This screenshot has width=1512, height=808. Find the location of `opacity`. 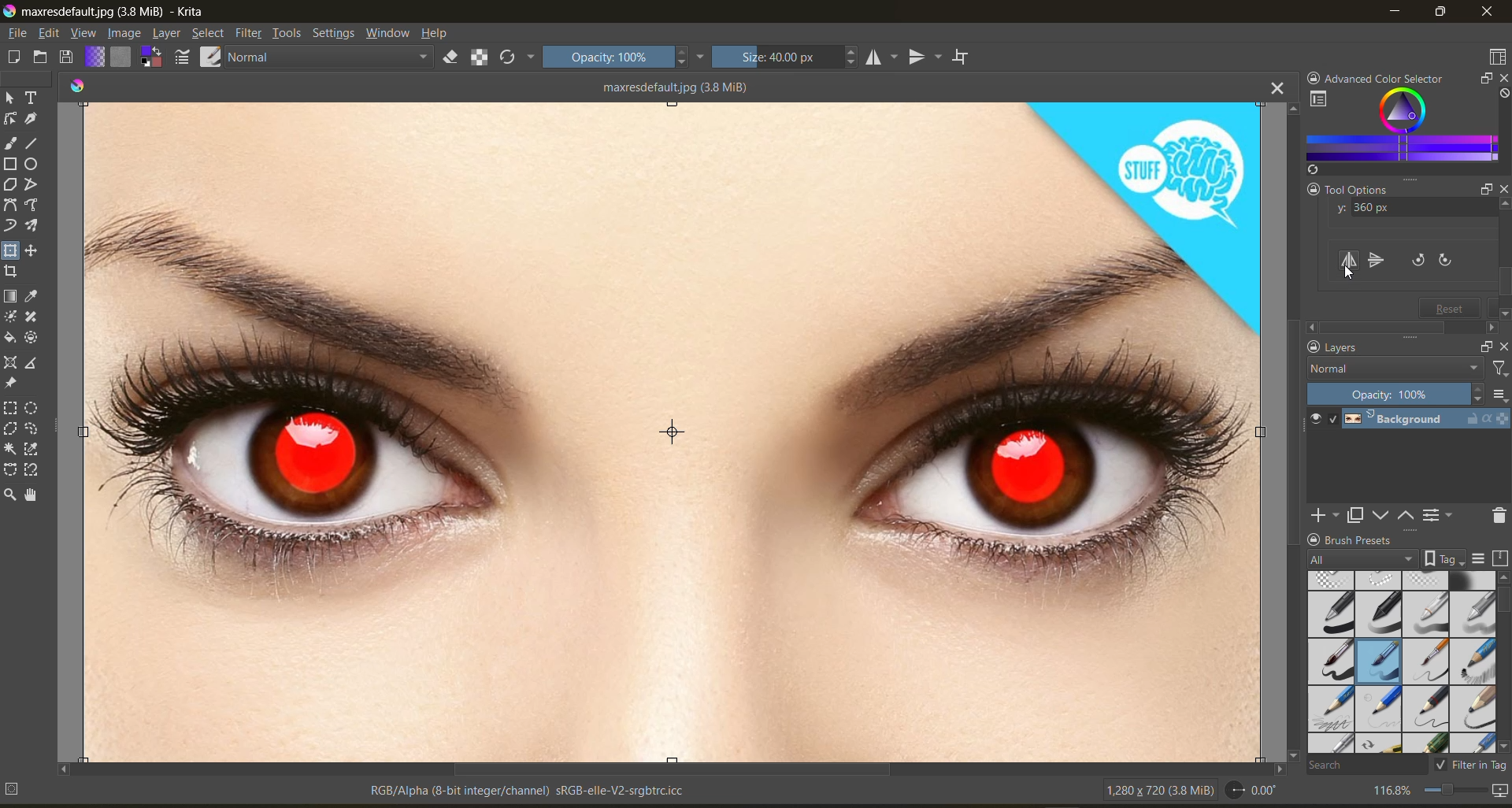

opacity is located at coordinates (624, 59).